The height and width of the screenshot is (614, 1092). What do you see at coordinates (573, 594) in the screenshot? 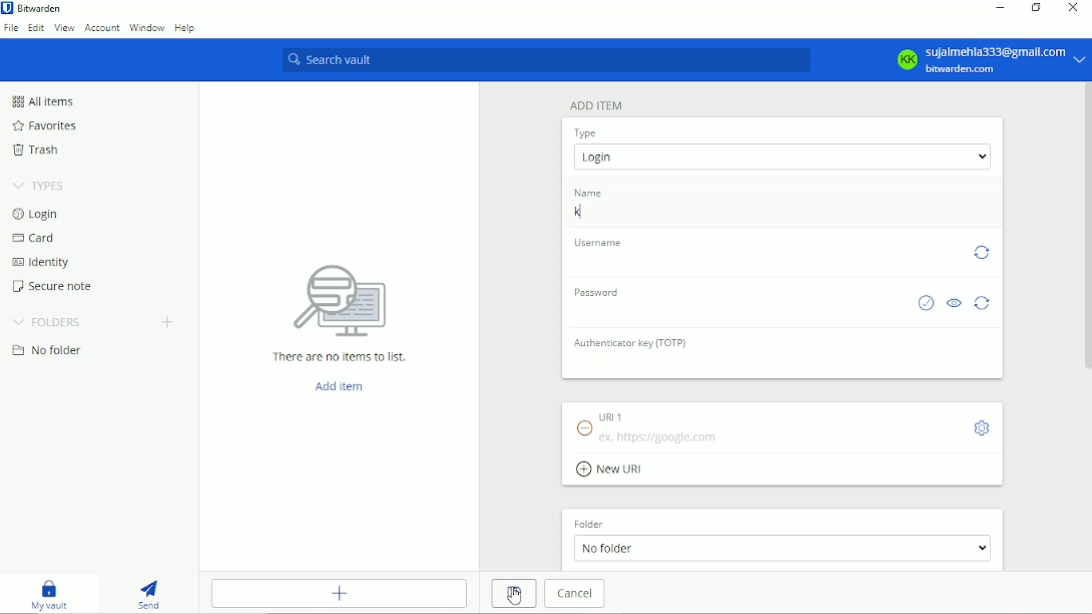
I see `Cancel` at bounding box center [573, 594].